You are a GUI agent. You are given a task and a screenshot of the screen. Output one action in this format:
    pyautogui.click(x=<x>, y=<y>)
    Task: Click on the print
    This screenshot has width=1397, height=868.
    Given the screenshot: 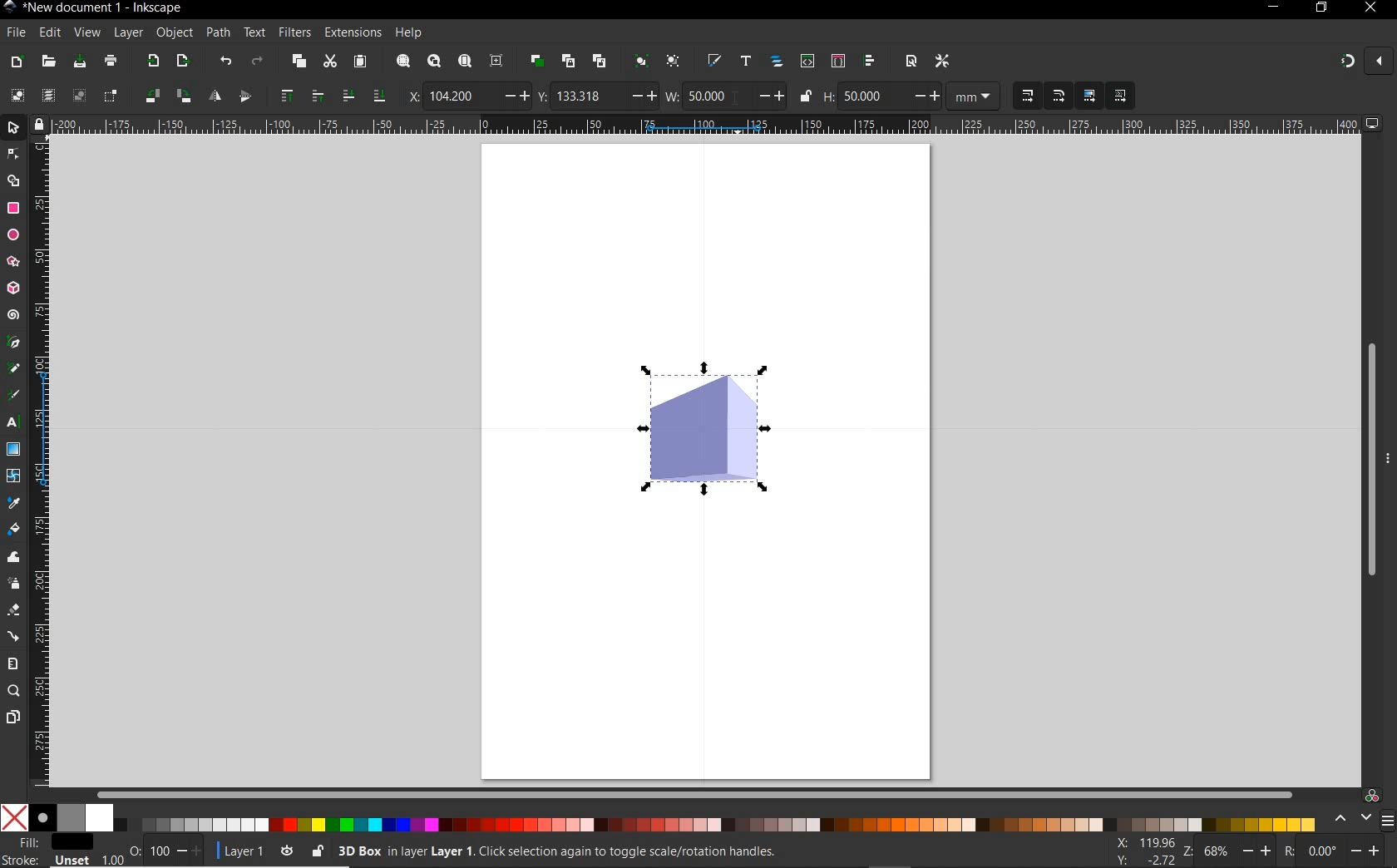 What is the action you would take?
    pyautogui.click(x=111, y=62)
    